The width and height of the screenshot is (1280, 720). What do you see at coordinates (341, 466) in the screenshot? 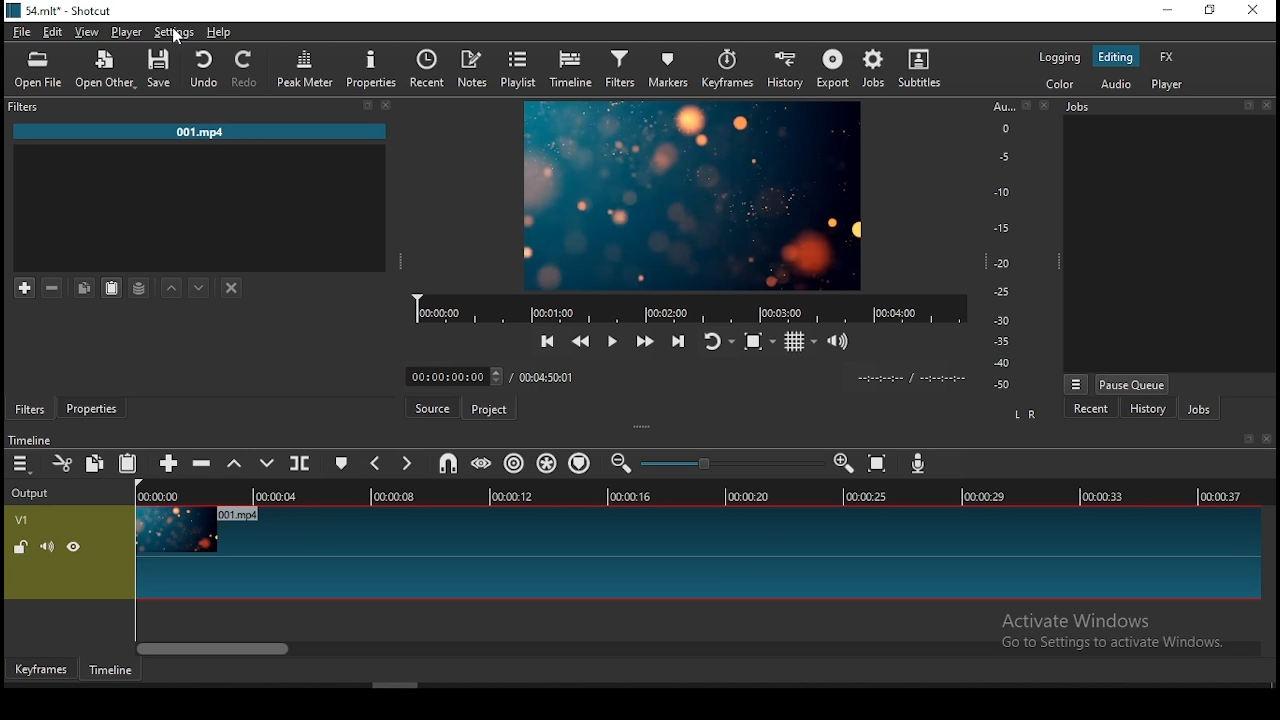
I see `create/edit marker` at bounding box center [341, 466].